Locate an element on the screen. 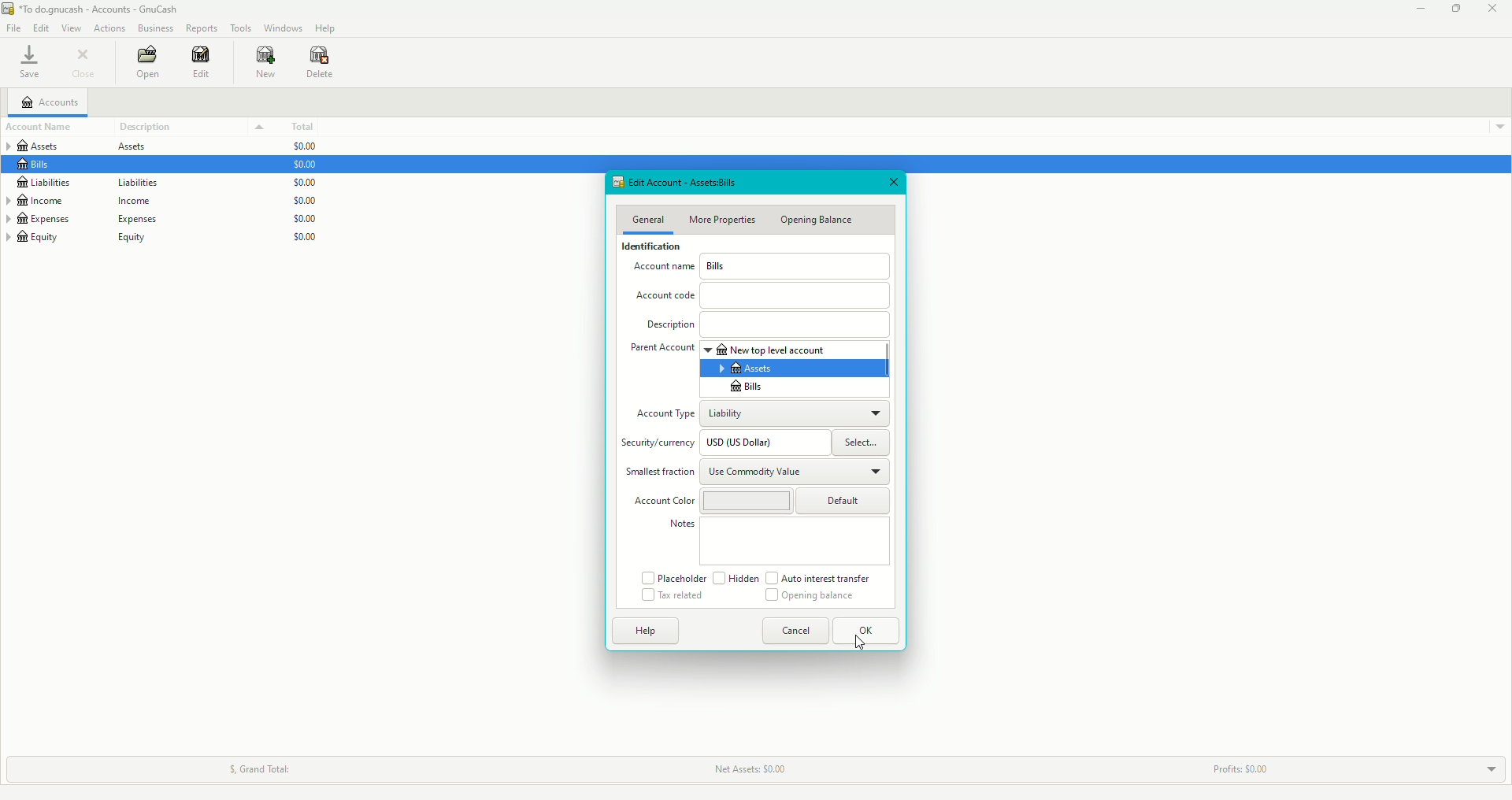 The height and width of the screenshot is (800, 1512). Minimize is located at coordinates (1417, 10).